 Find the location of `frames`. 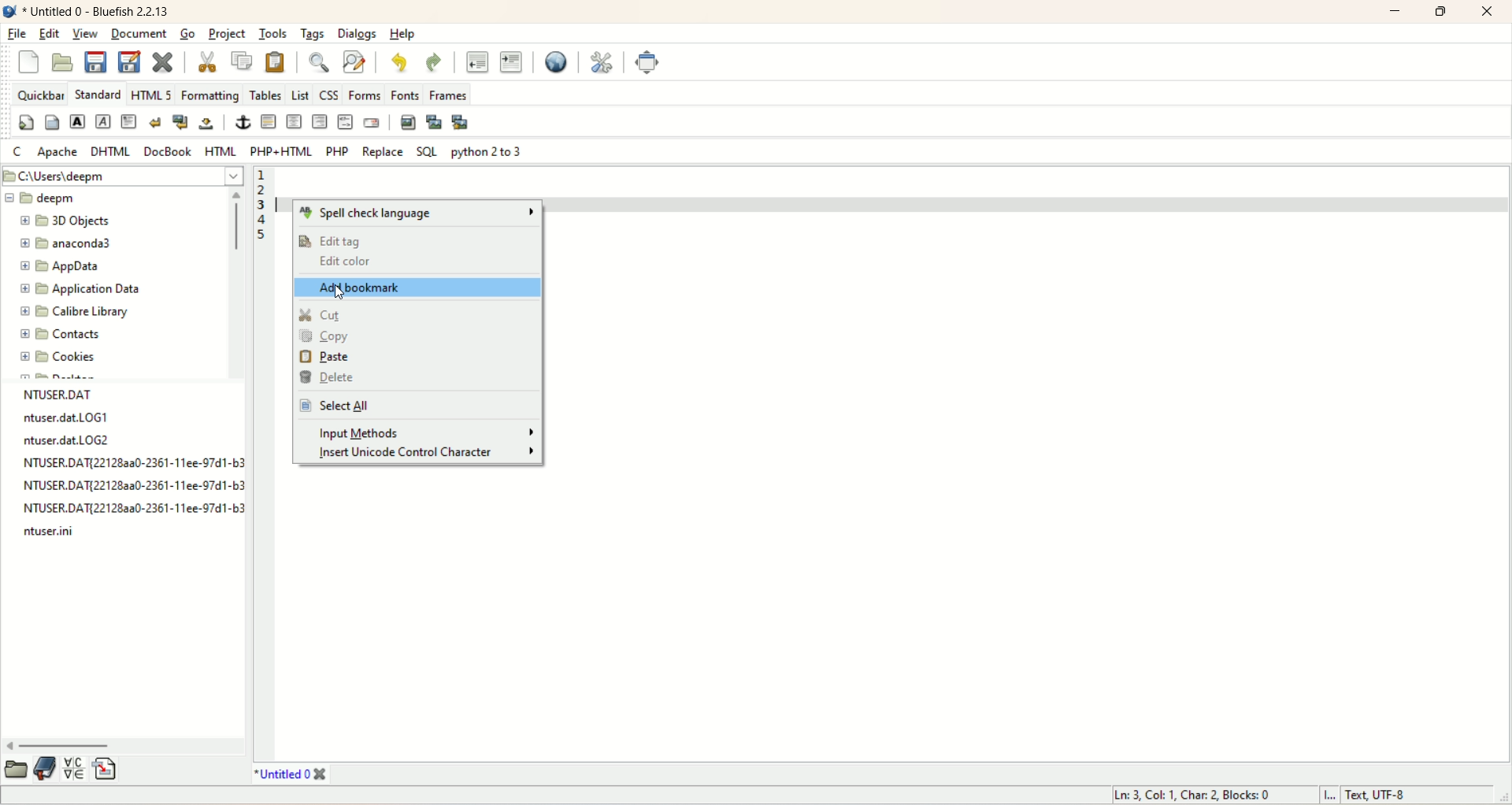

frames is located at coordinates (447, 93).